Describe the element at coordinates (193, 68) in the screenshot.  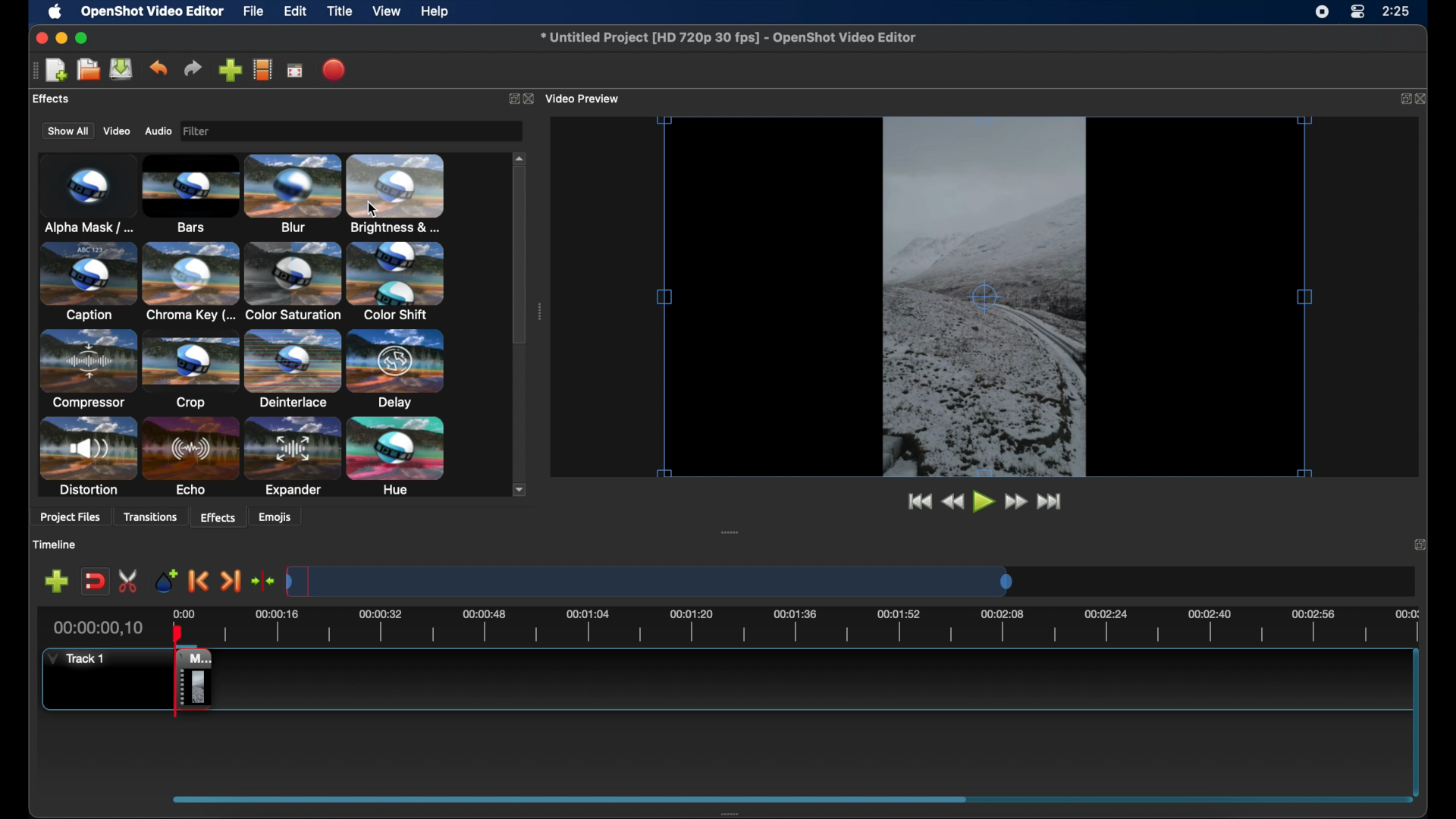
I see `redo` at that location.